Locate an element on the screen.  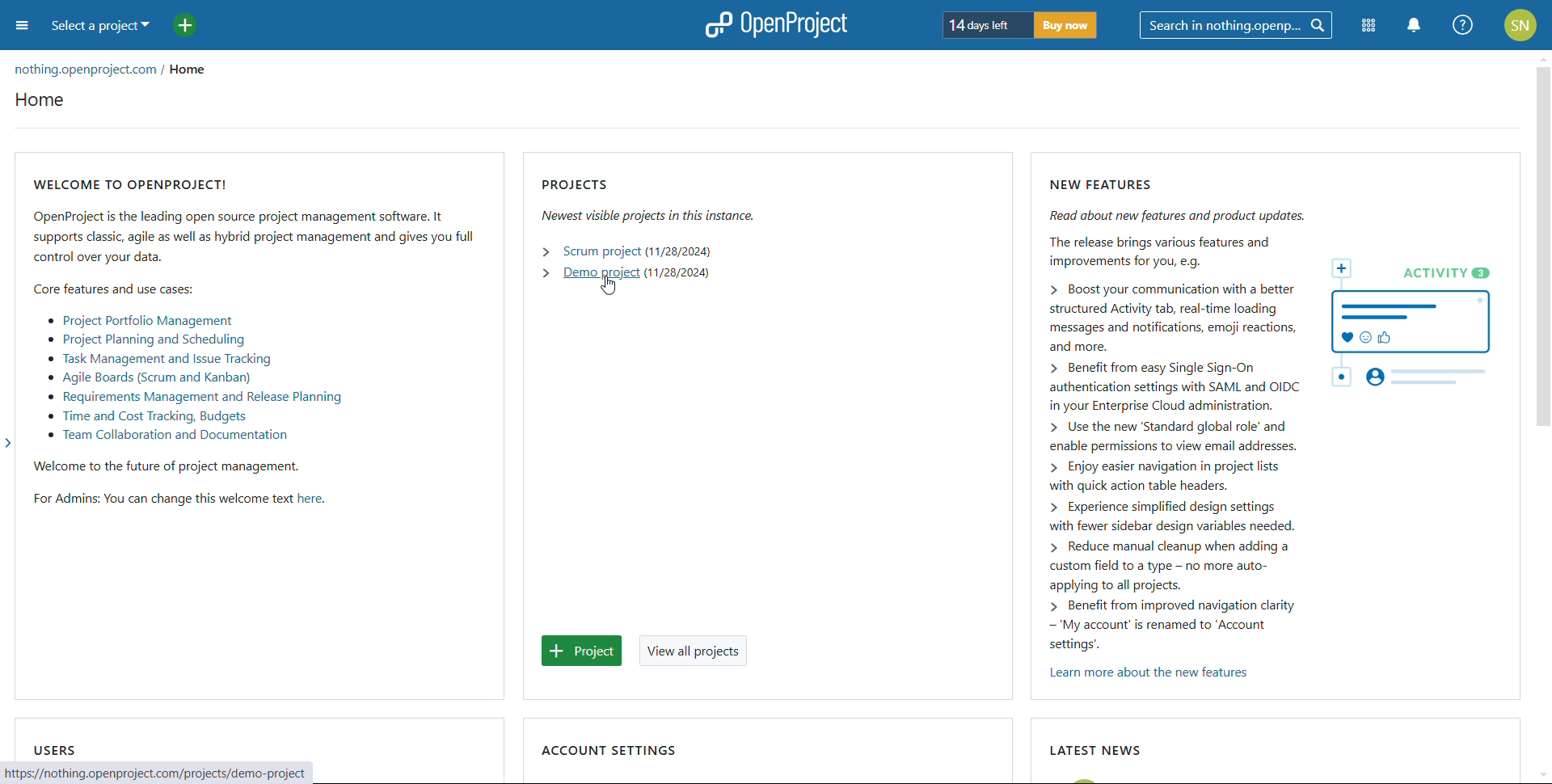
team collaboration and documentation is located at coordinates (170, 436).